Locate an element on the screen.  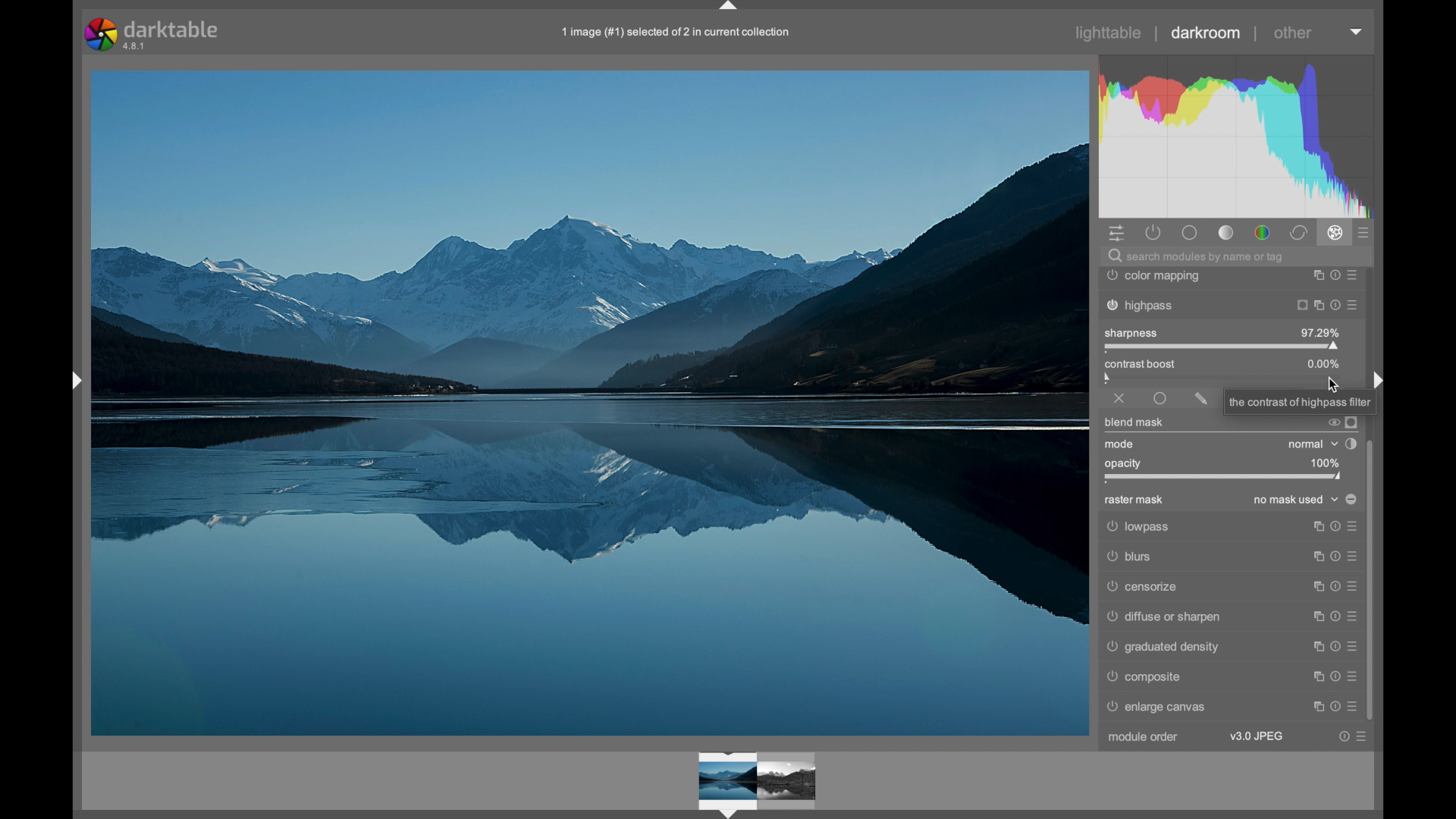
effect is located at coordinates (1335, 233).